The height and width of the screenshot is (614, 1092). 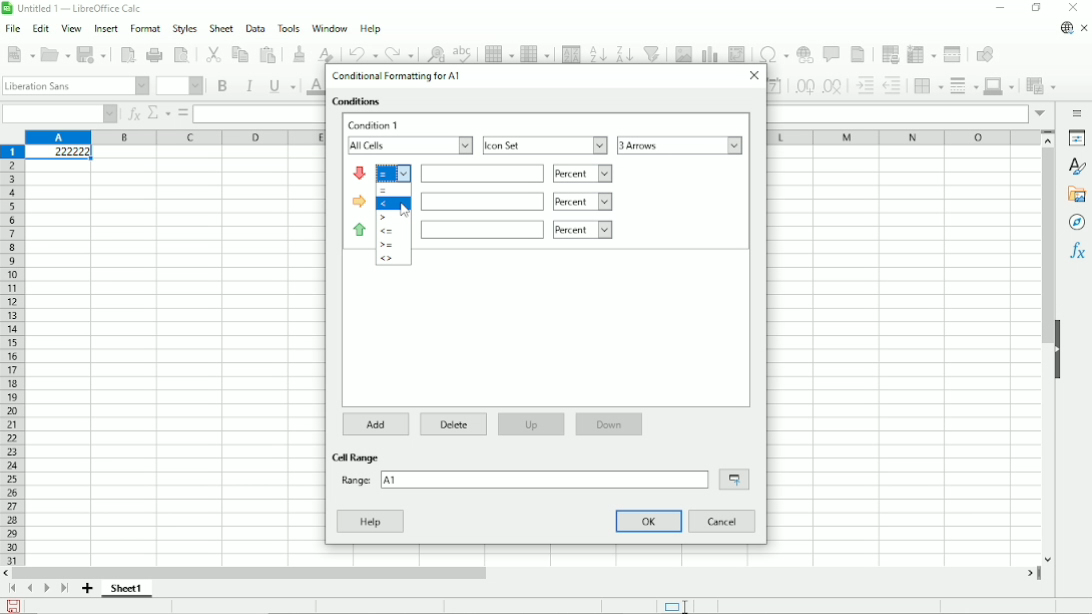 What do you see at coordinates (396, 76) in the screenshot?
I see `Conditional formatting for A1` at bounding box center [396, 76].